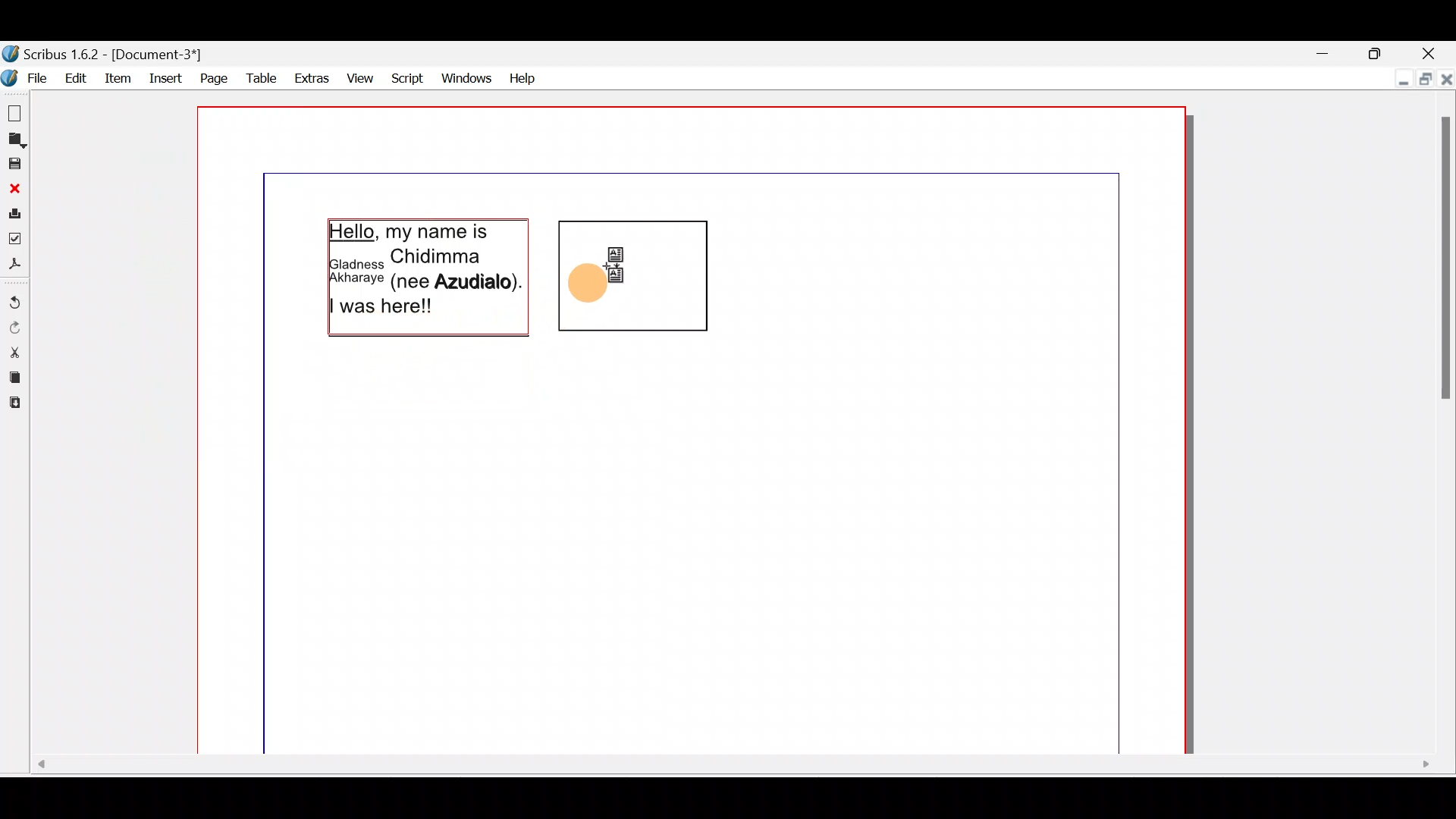 The image size is (1456, 819). I want to click on Page, so click(210, 77).